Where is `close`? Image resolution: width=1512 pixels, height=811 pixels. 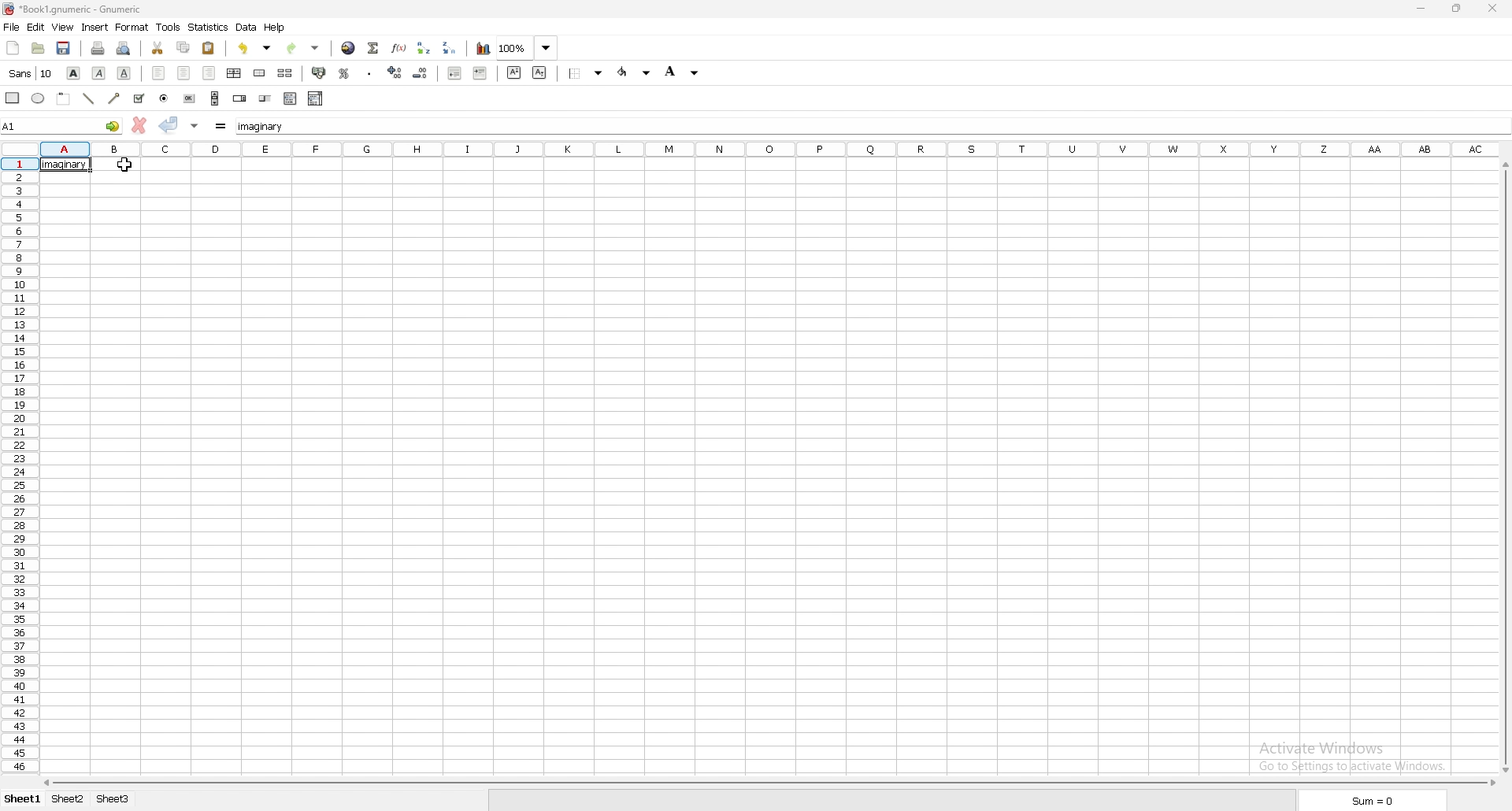
close is located at coordinates (1493, 8).